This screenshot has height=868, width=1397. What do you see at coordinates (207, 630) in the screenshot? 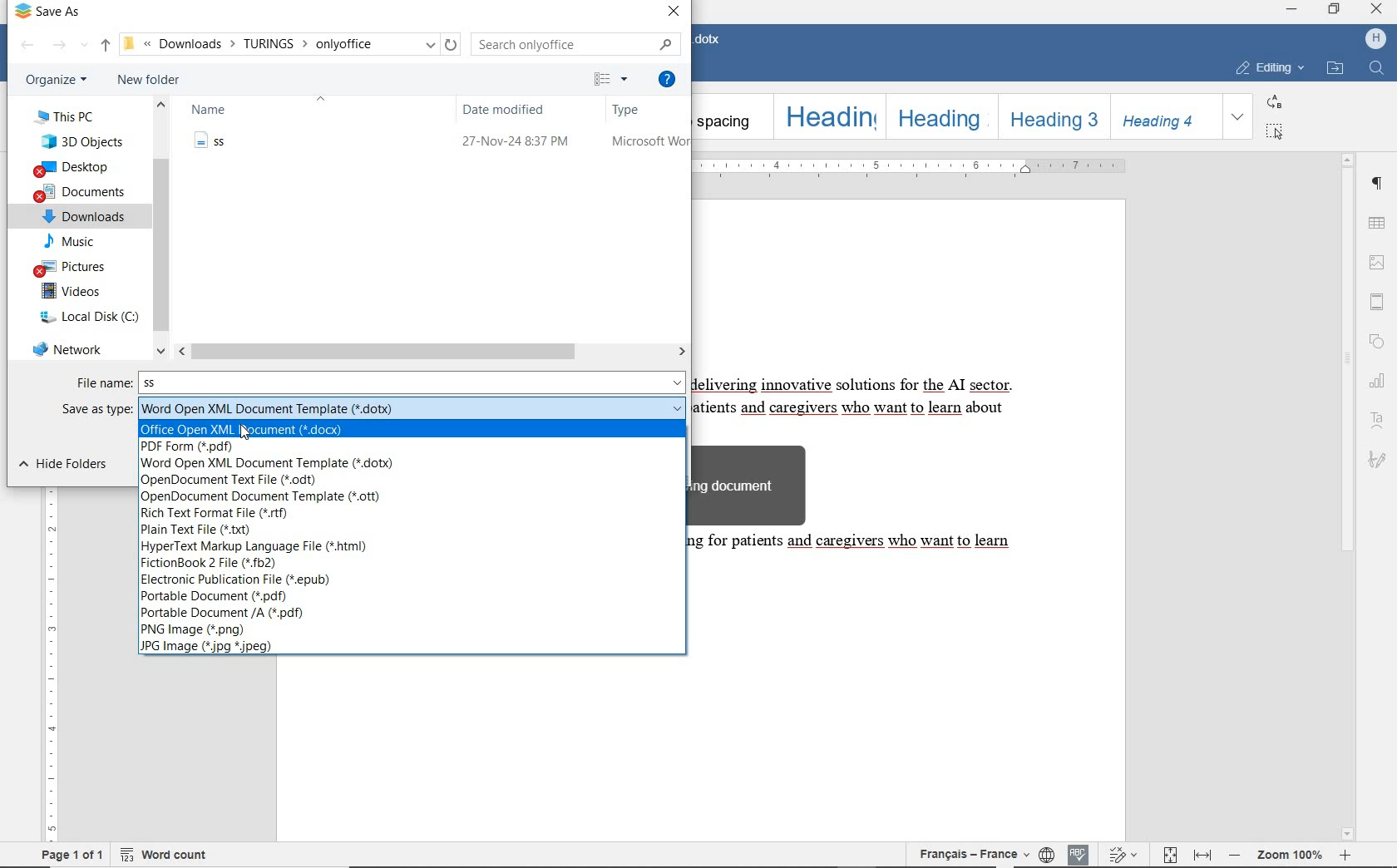
I see `png` at bounding box center [207, 630].